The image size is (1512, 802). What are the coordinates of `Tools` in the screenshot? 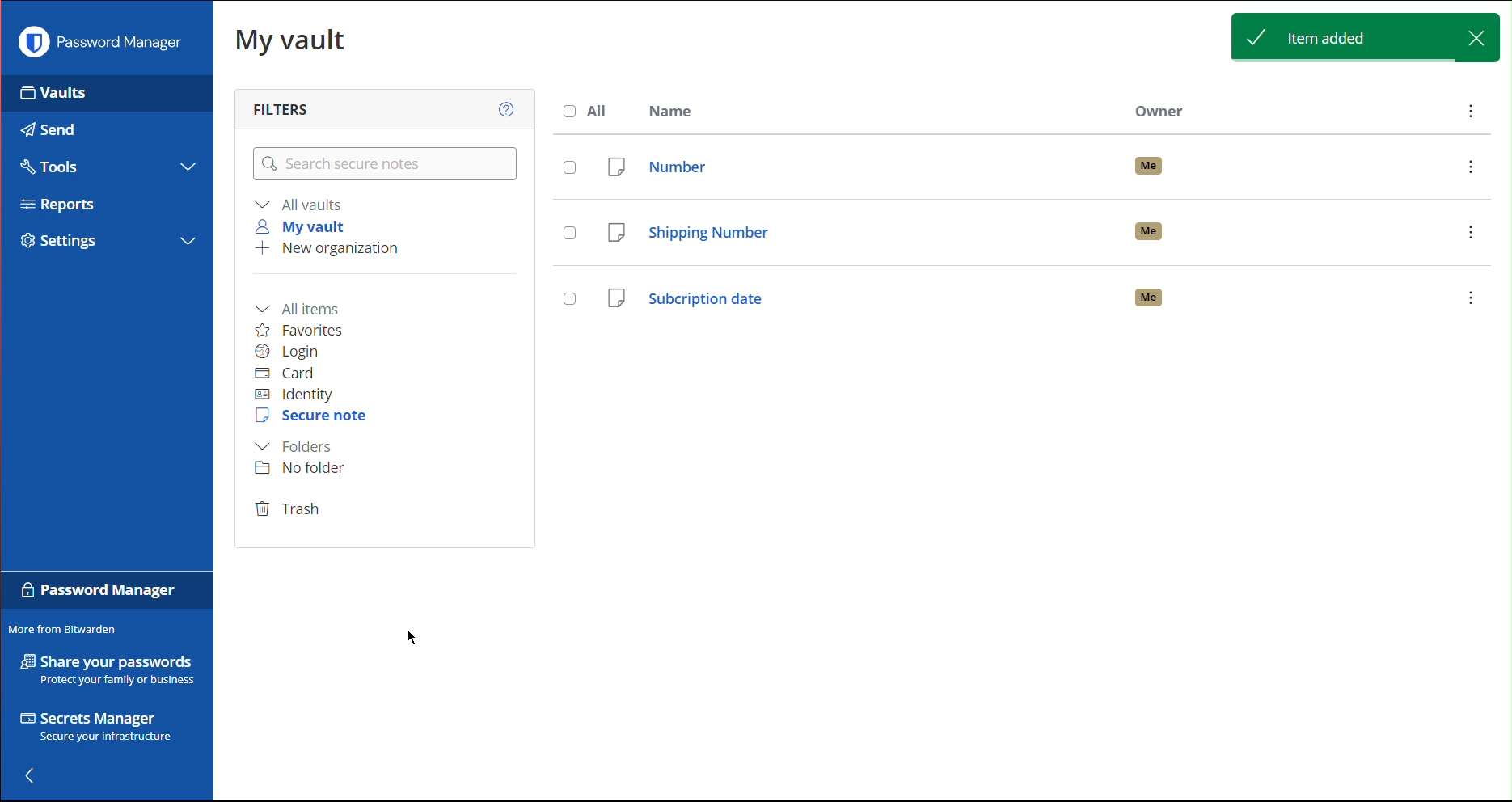 It's located at (55, 167).